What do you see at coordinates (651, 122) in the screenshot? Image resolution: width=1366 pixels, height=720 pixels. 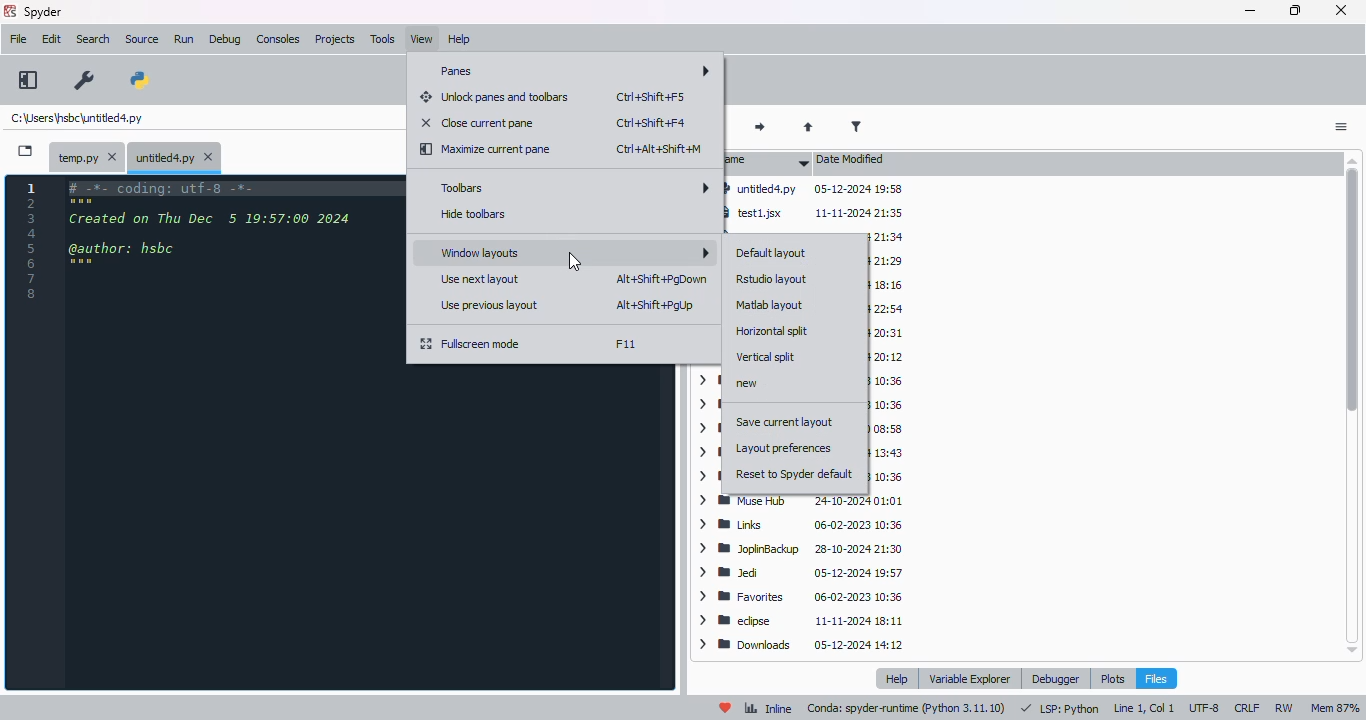 I see `shortcut for close current pane` at bounding box center [651, 122].